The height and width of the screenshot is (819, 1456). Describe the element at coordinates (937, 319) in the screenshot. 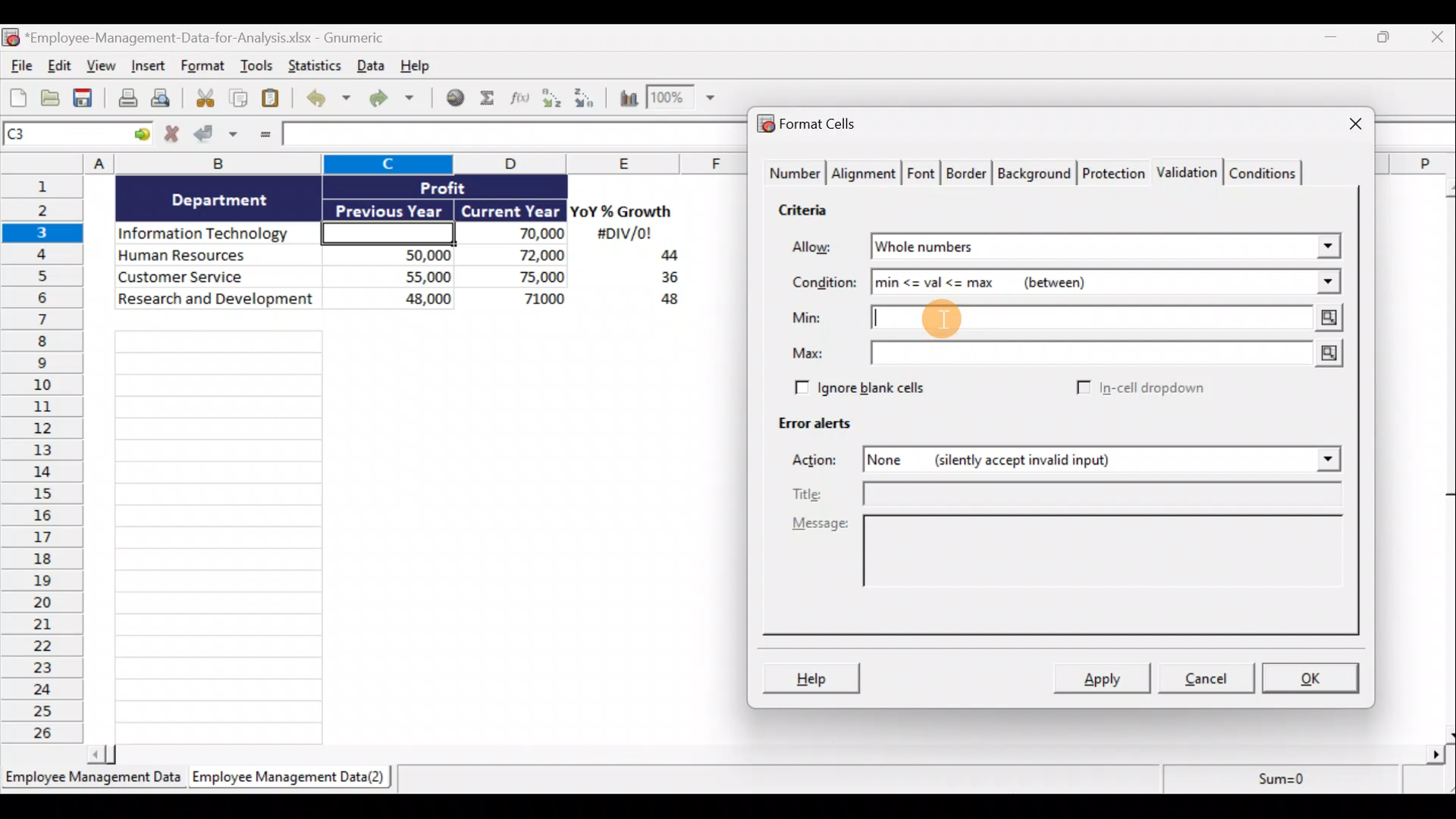

I see `Cursor` at that location.